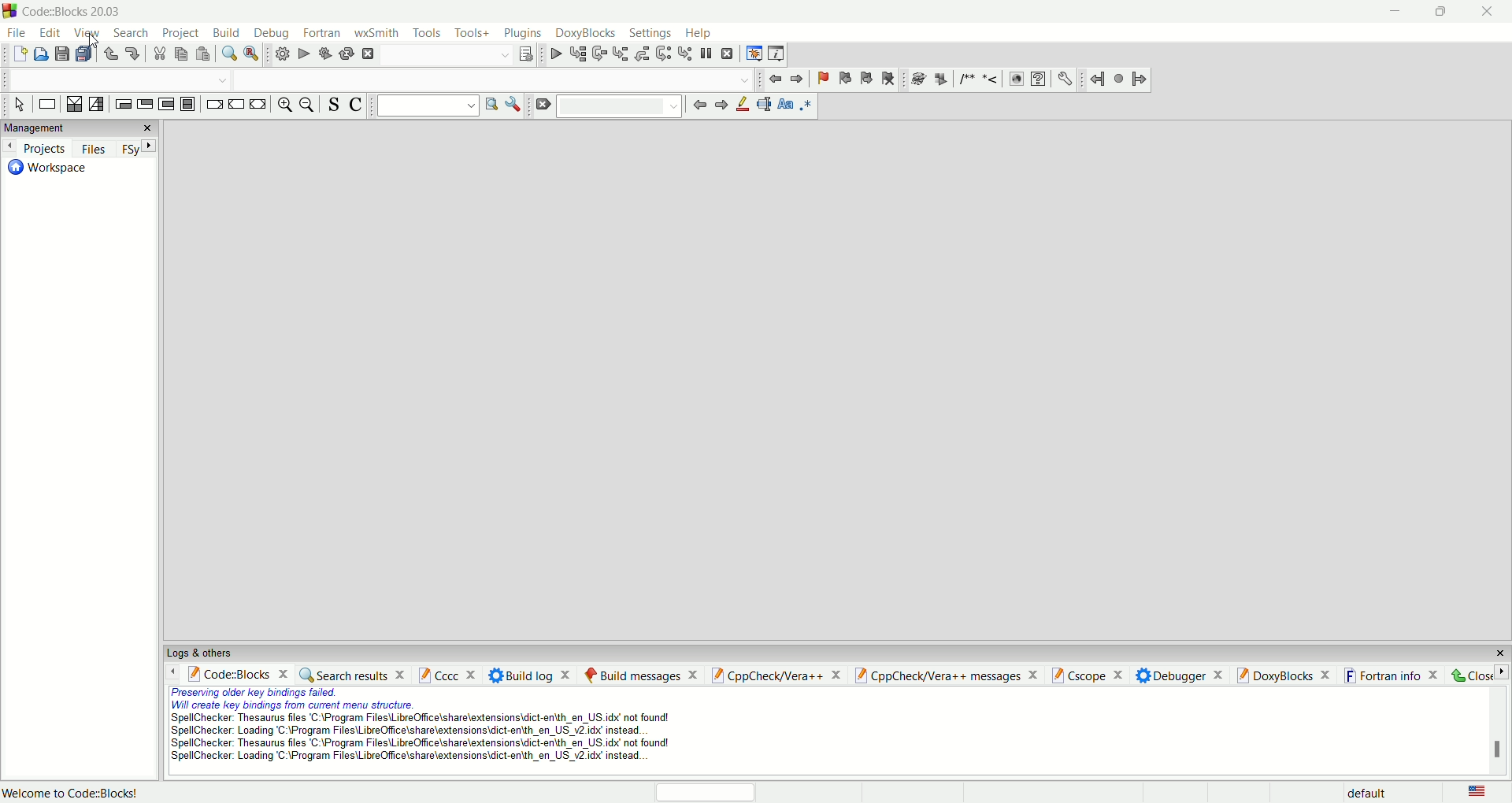  What do you see at coordinates (991, 80) in the screenshot?
I see `Insert a line` at bounding box center [991, 80].